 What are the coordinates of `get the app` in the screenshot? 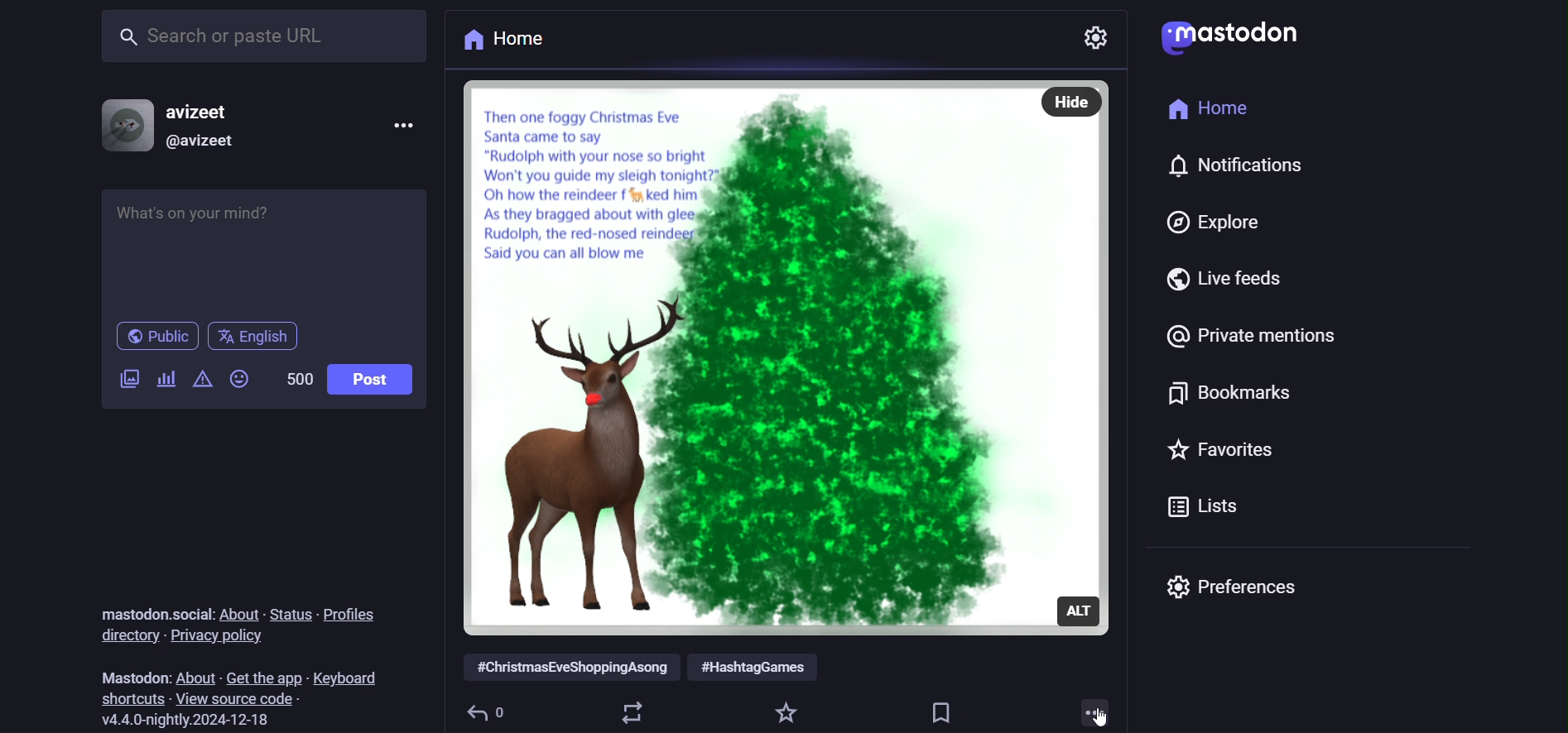 It's located at (260, 675).